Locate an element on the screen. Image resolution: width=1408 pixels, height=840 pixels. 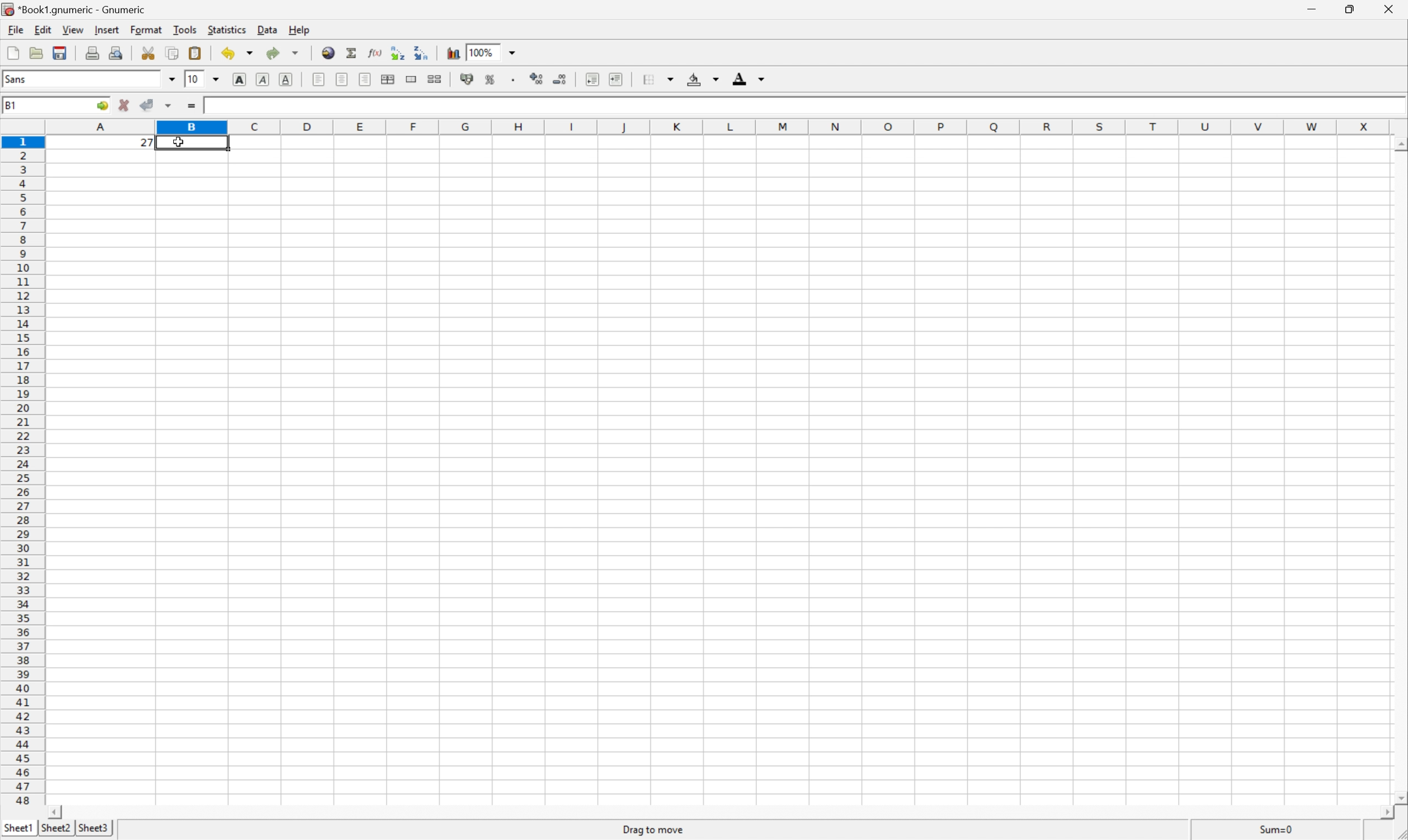
Print preview is located at coordinates (116, 52).